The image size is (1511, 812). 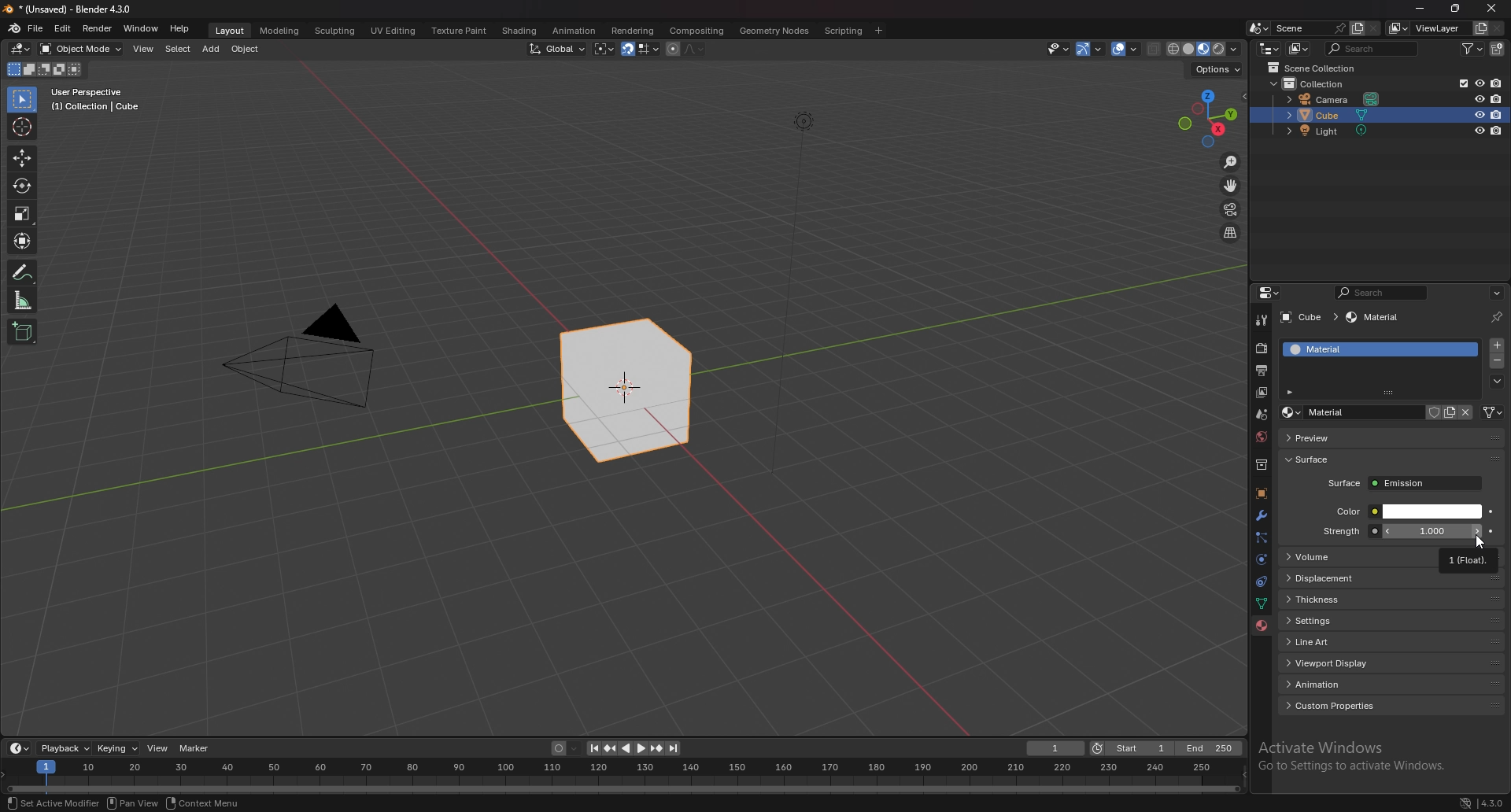 What do you see at coordinates (23, 126) in the screenshot?
I see `cursor` at bounding box center [23, 126].